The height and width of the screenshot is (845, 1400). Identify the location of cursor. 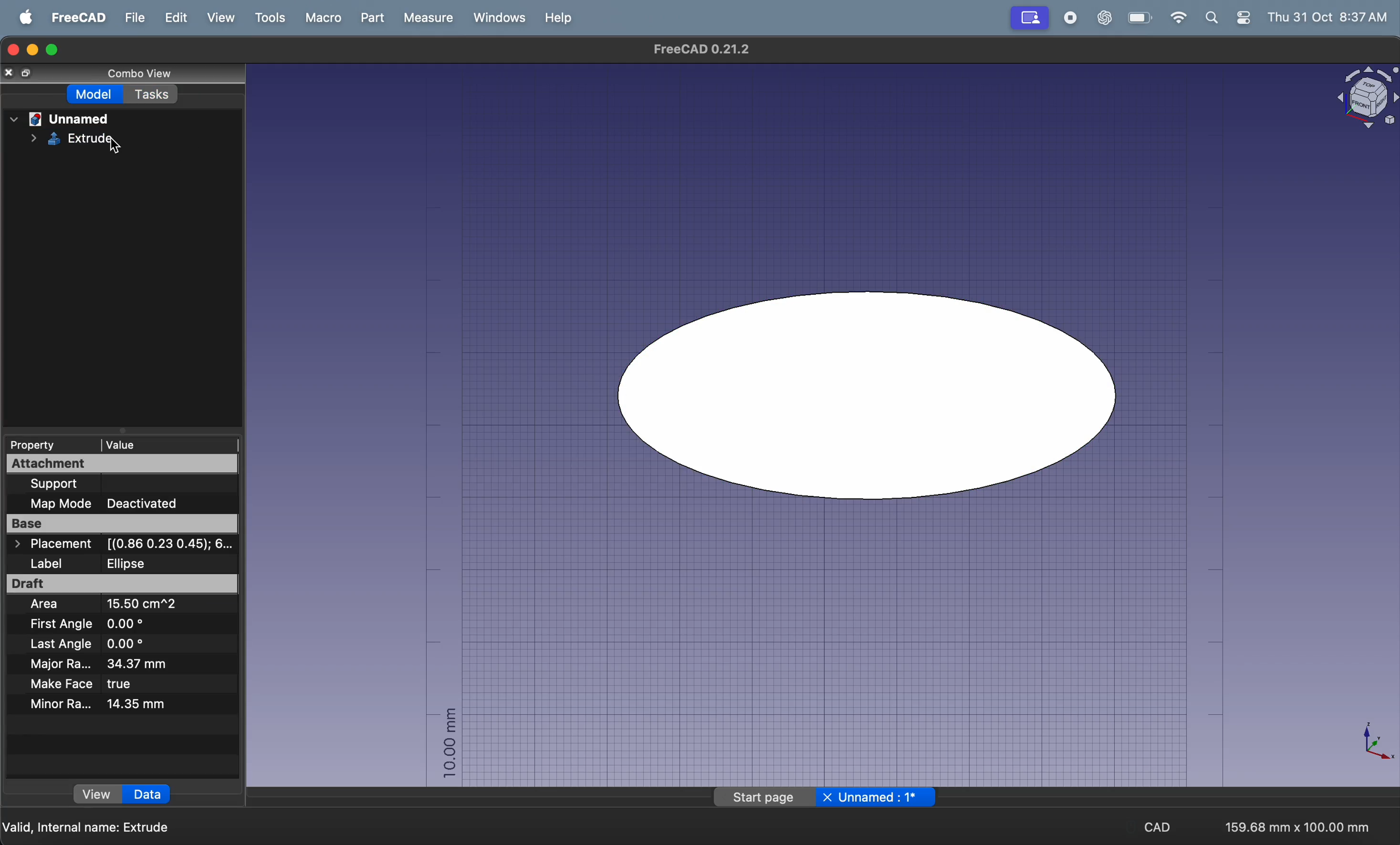
(124, 148).